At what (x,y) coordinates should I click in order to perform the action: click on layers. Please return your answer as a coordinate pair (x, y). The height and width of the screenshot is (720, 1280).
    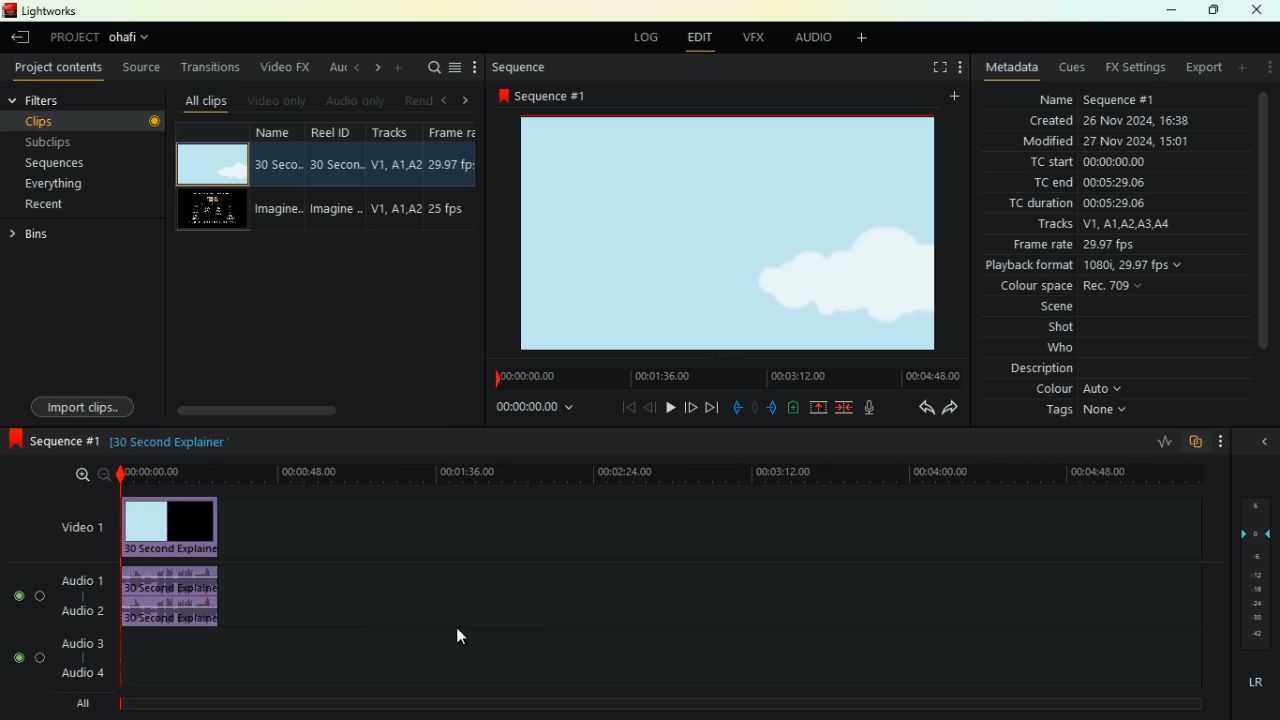
    Looking at the image, I should click on (1254, 571).